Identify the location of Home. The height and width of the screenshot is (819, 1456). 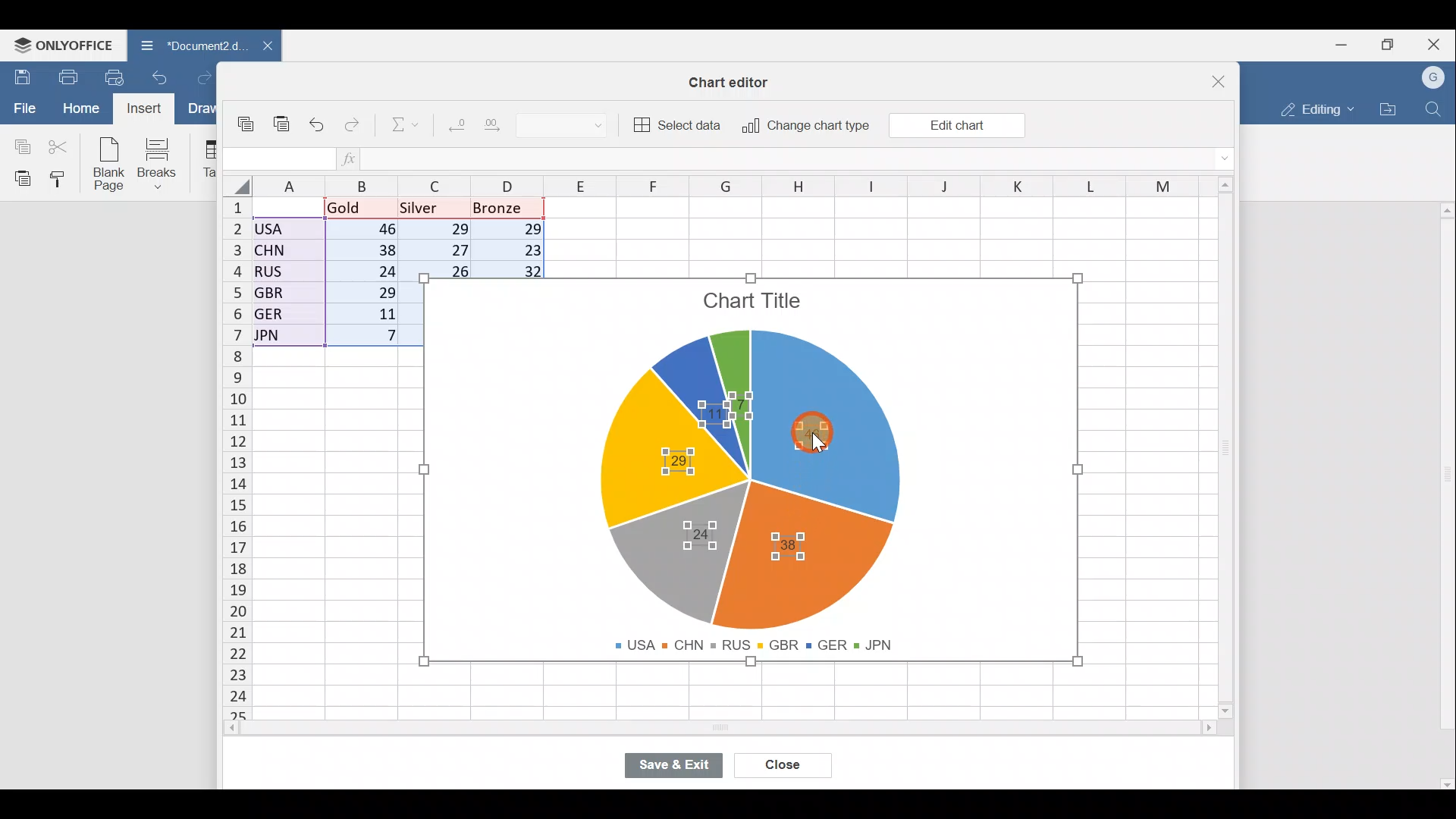
(80, 108).